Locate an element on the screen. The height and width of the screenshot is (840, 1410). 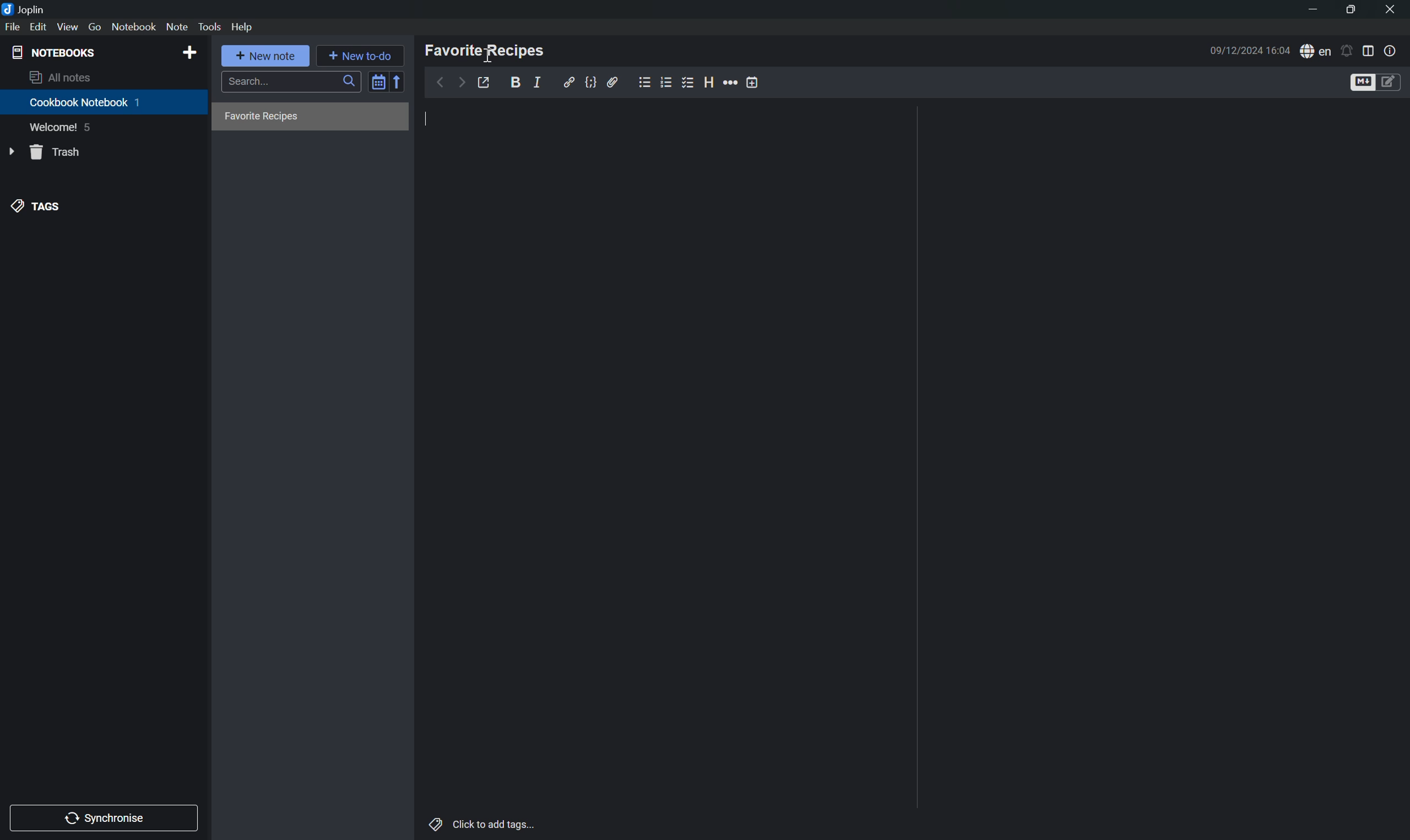
Favorite recipies is located at coordinates (263, 117).